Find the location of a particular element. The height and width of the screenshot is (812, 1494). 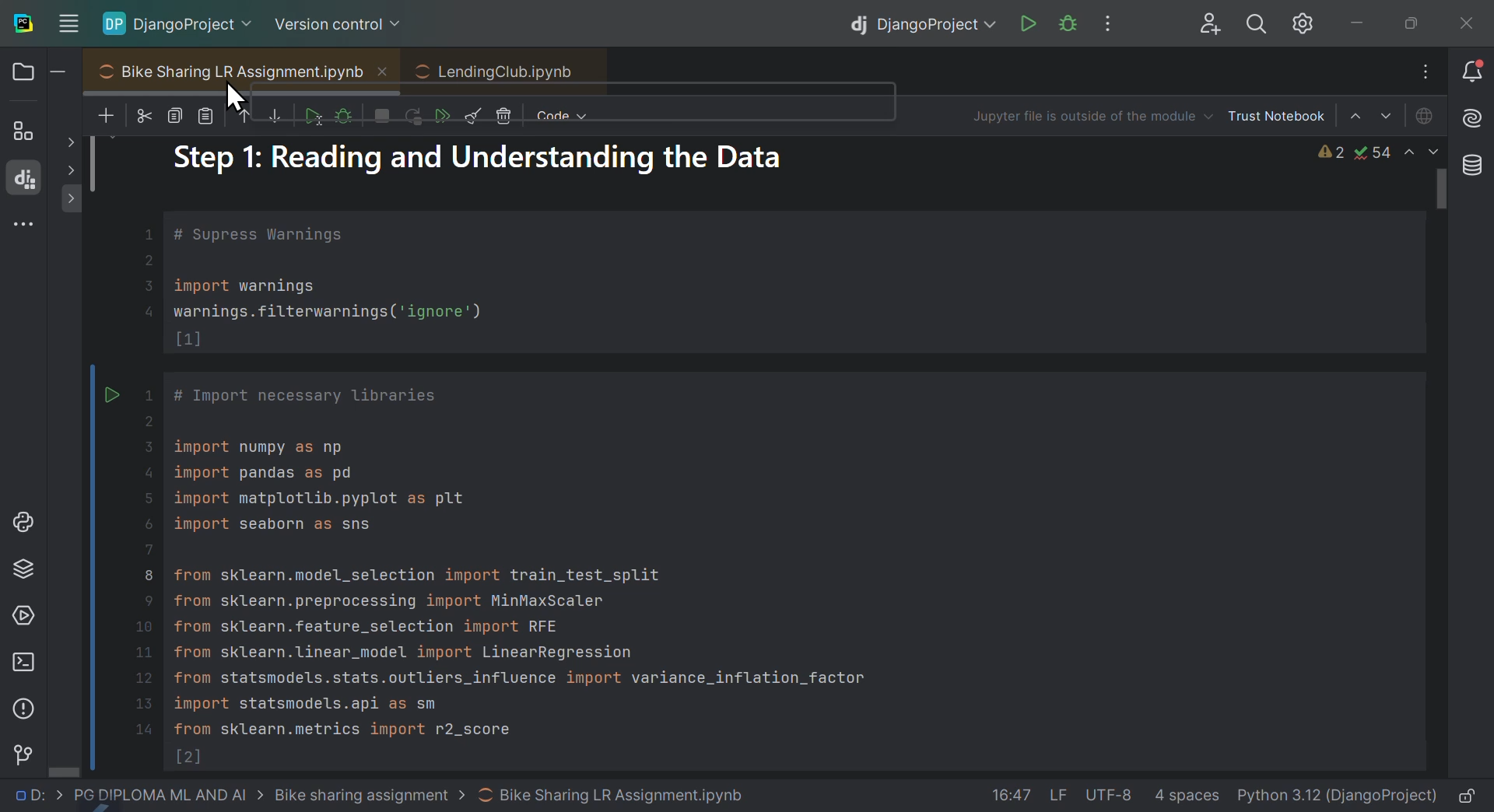

Run all is located at coordinates (447, 113).